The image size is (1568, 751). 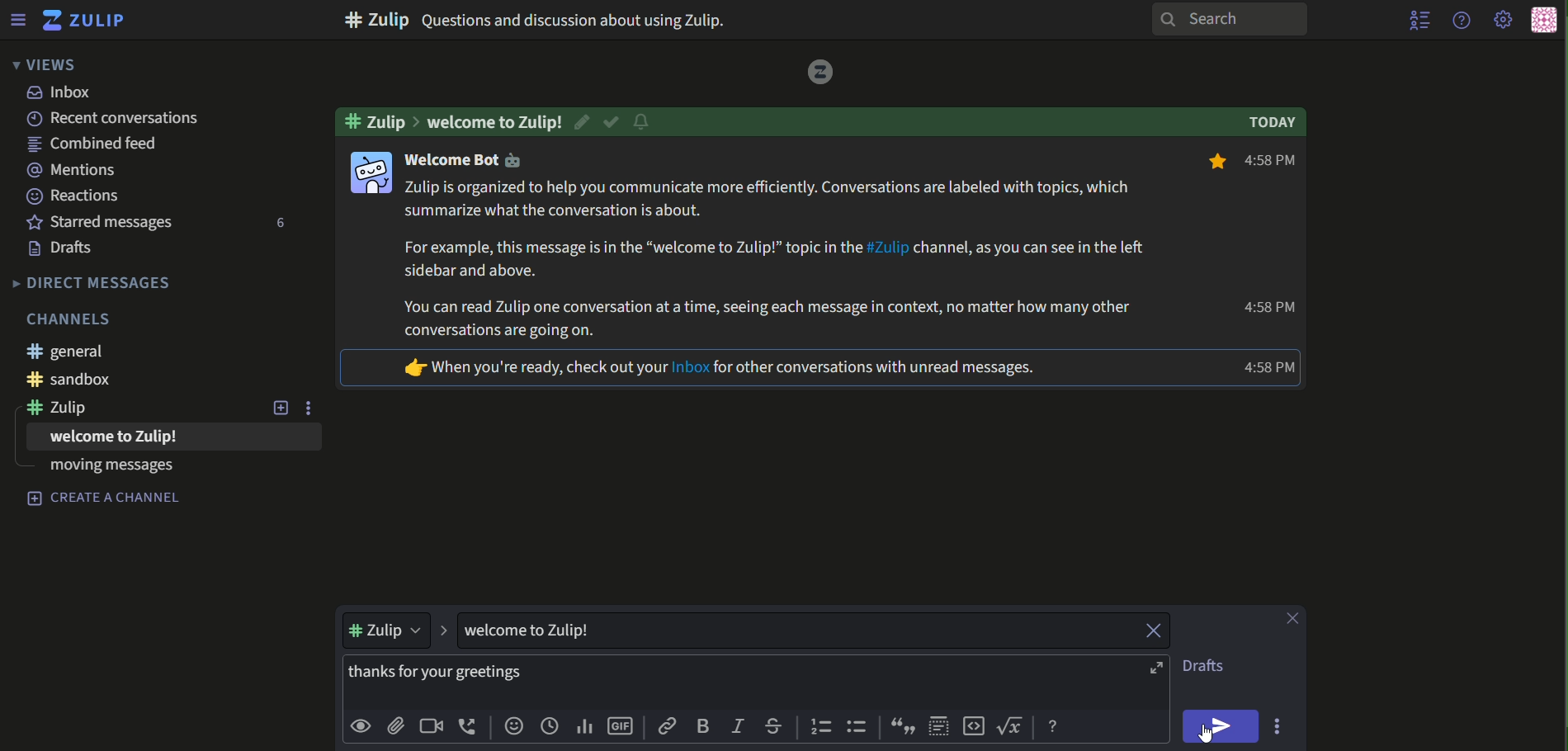 I want to click on personal menu, so click(x=1543, y=21).